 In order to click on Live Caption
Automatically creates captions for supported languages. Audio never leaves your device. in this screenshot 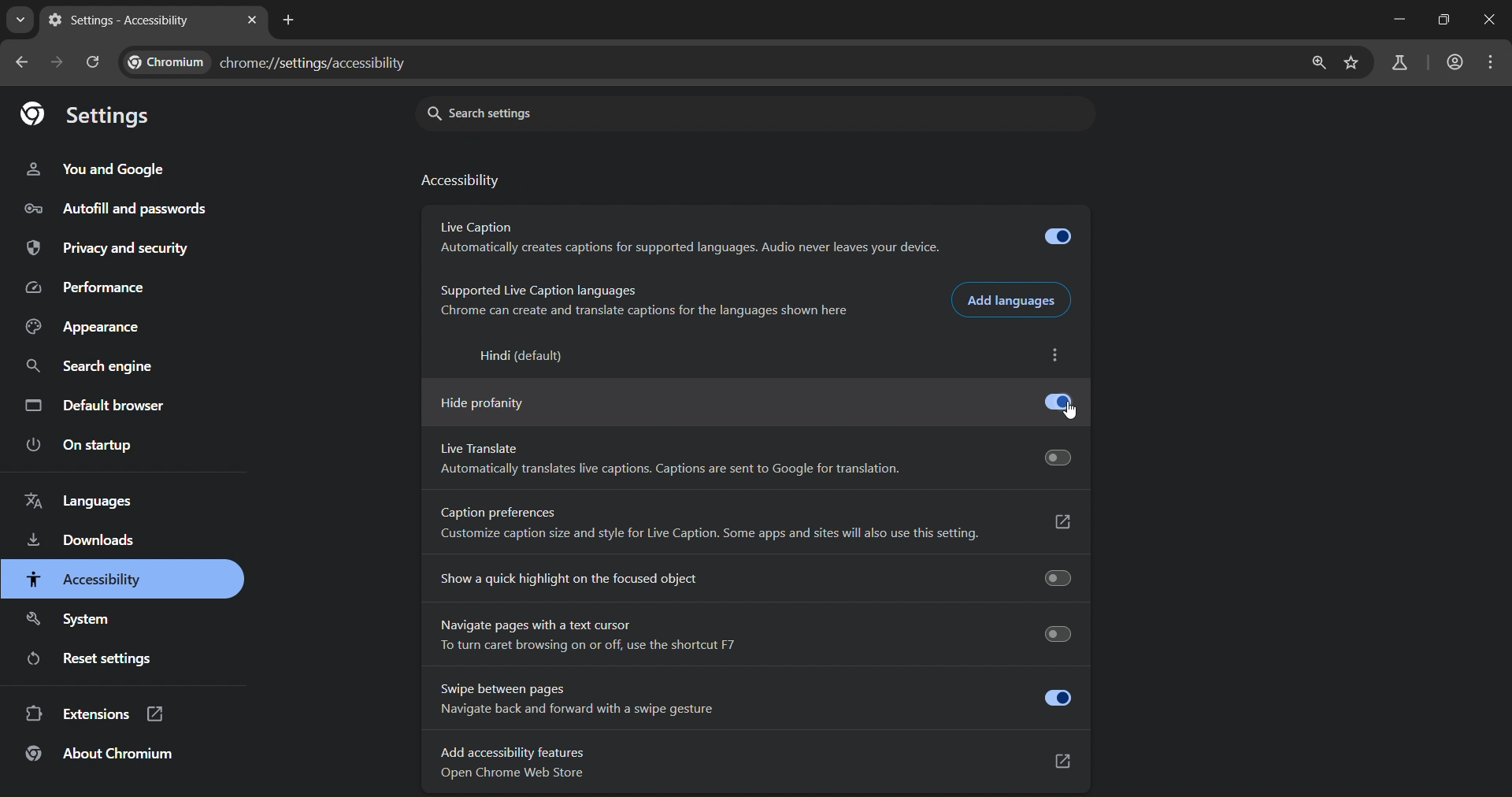, I will do `click(758, 239)`.